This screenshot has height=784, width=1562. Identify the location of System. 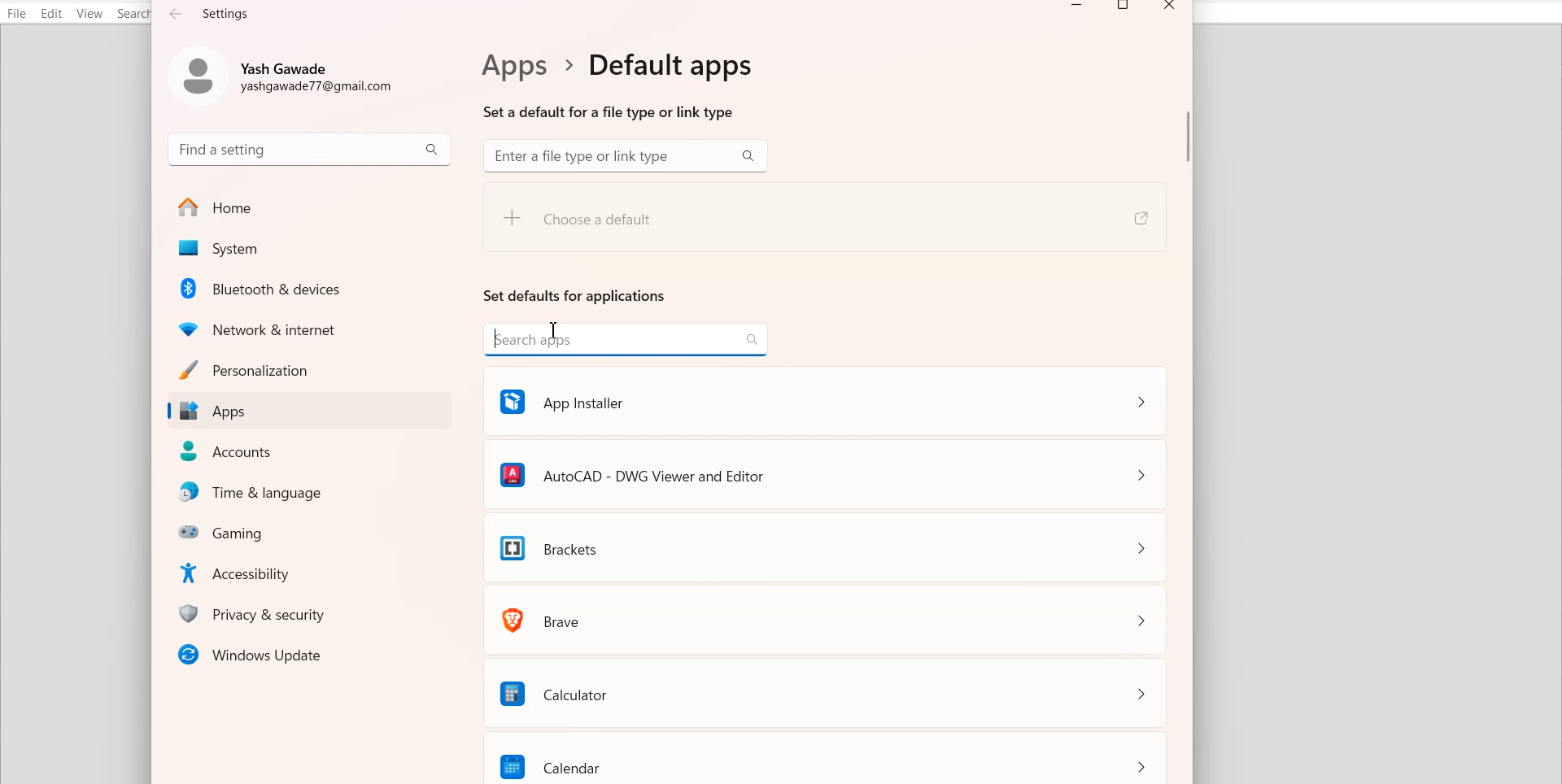
(308, 249).